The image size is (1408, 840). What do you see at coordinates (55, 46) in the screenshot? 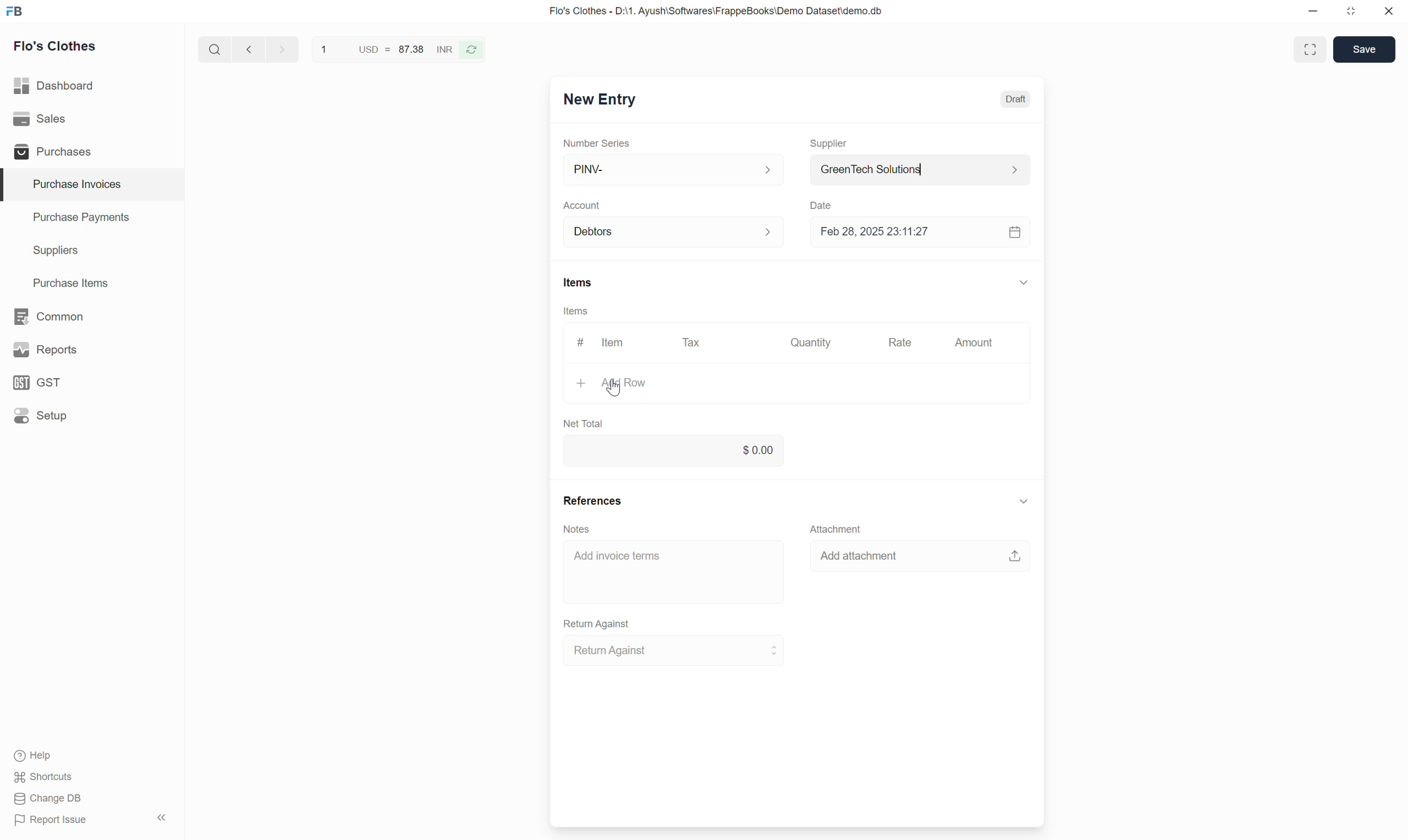
I see `Flo's Clothes` at bounding box center [55, 46].